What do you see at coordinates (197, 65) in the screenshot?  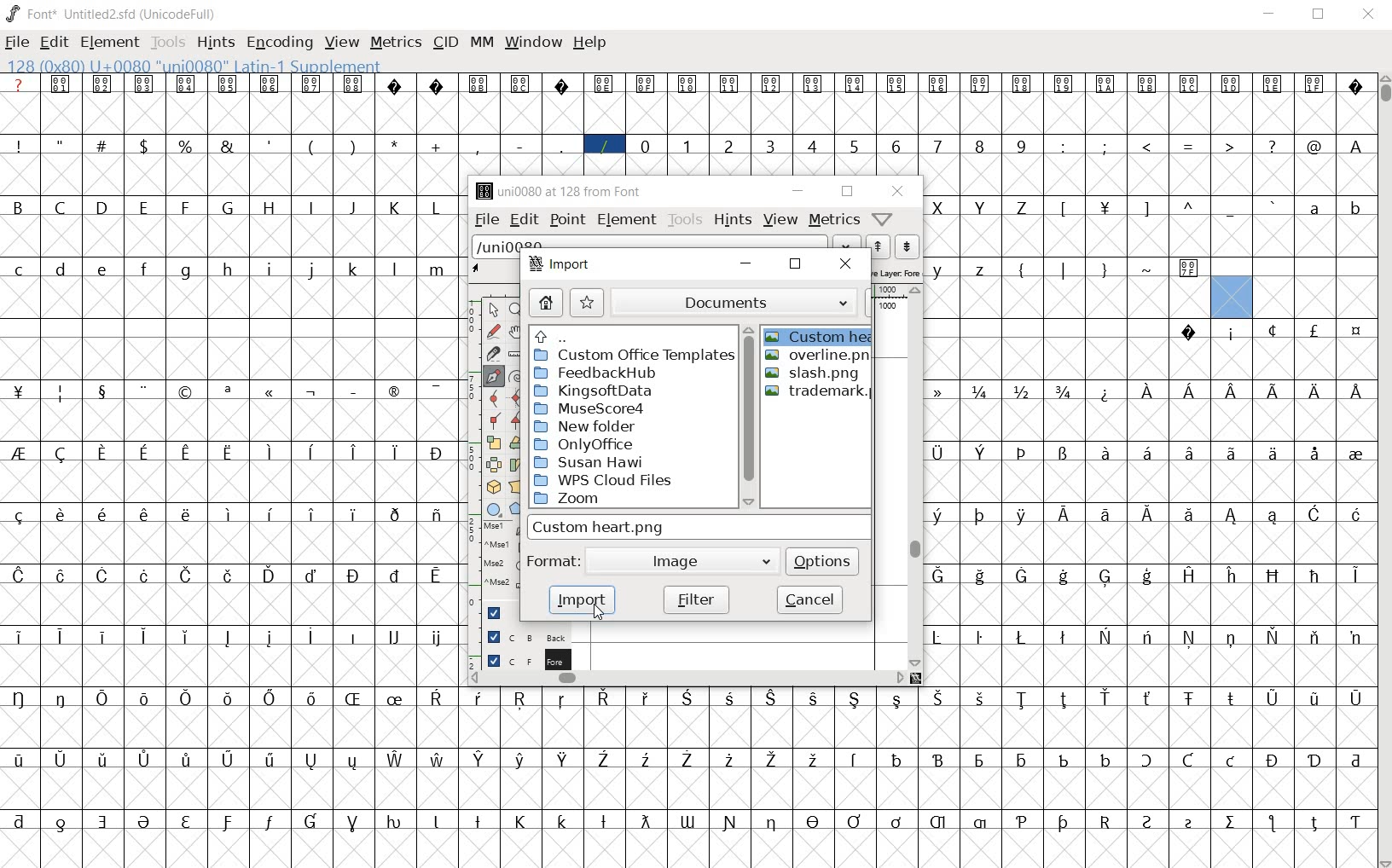 I see `GLYPHY INFO` at bounding box center [197, 65].